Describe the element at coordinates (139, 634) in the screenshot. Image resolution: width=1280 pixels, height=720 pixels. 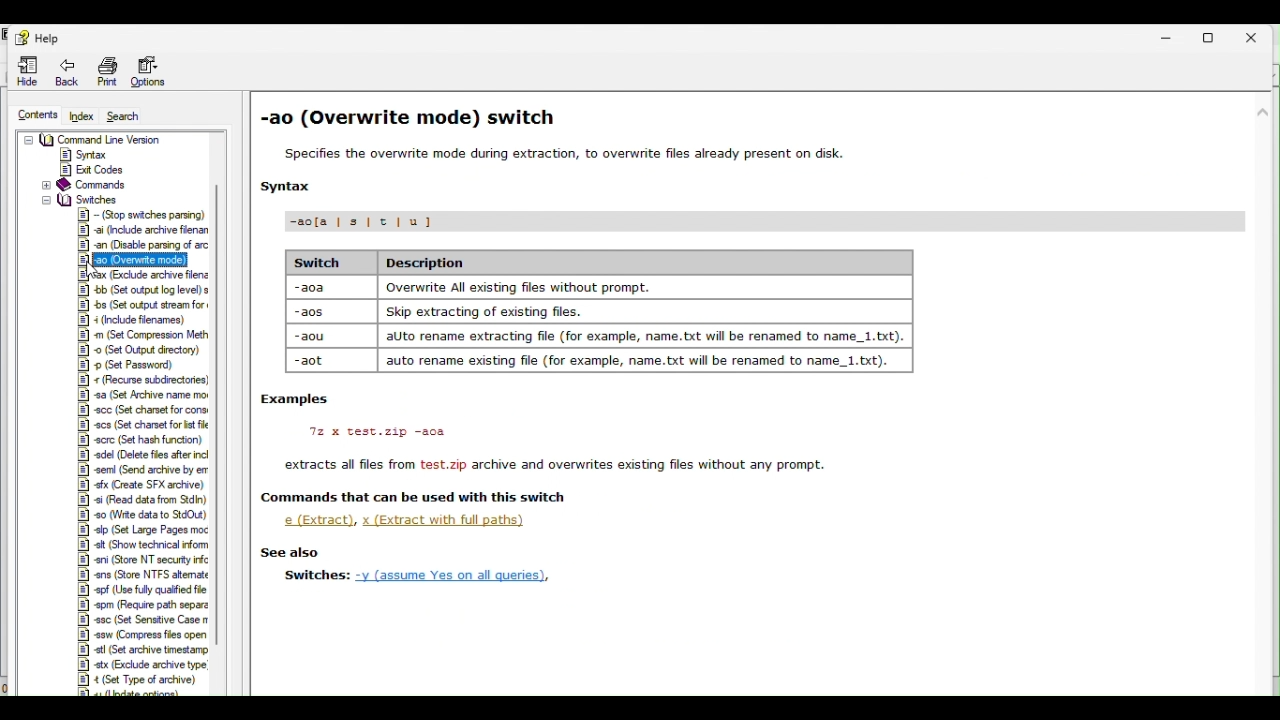
I see `|#] ssw (Compress fies open` at that location.